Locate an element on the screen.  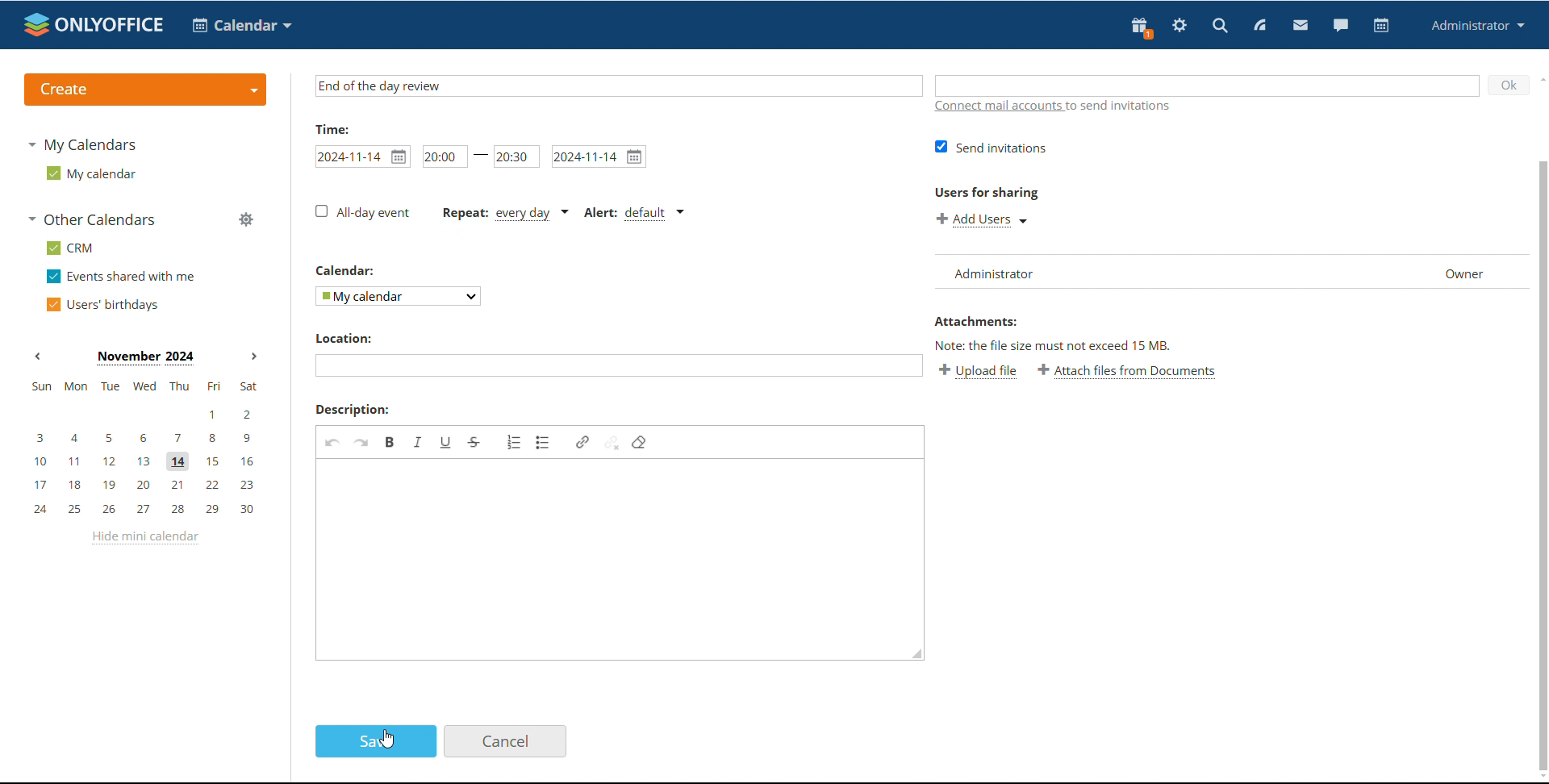
users' birthdays is located at coordinates (101, 305).